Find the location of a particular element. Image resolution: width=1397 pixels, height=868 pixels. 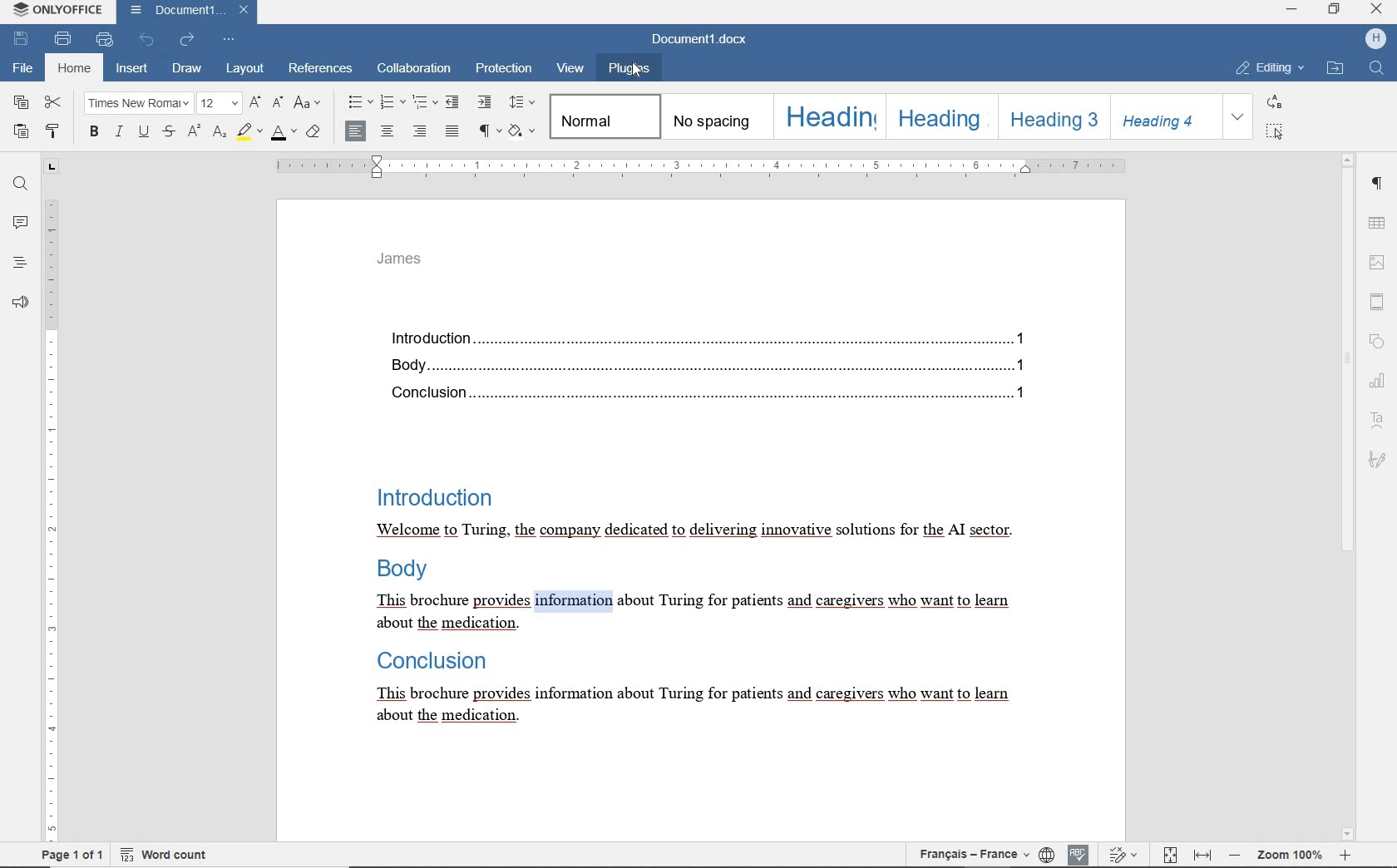

ZOOM 100% is located at coordinates (1291, 854).